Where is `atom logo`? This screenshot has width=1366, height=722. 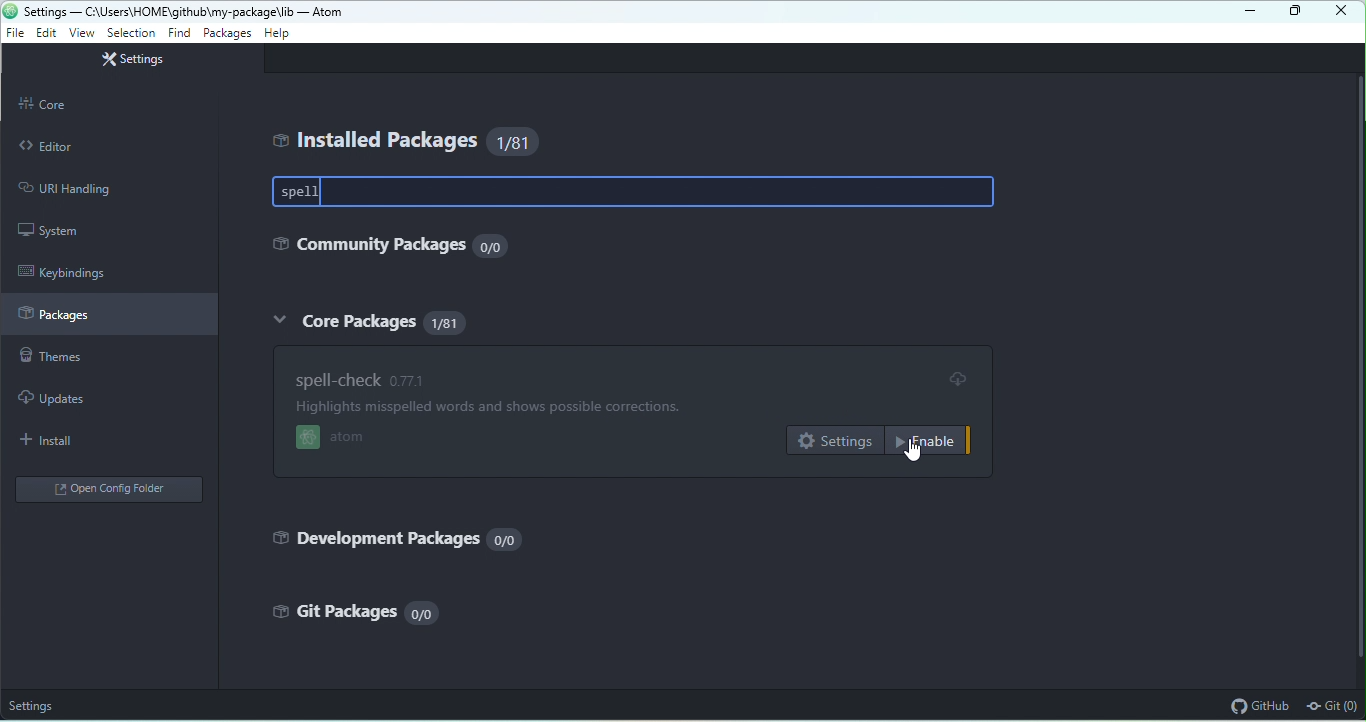 atom logo is located at coordinates (305, 439).